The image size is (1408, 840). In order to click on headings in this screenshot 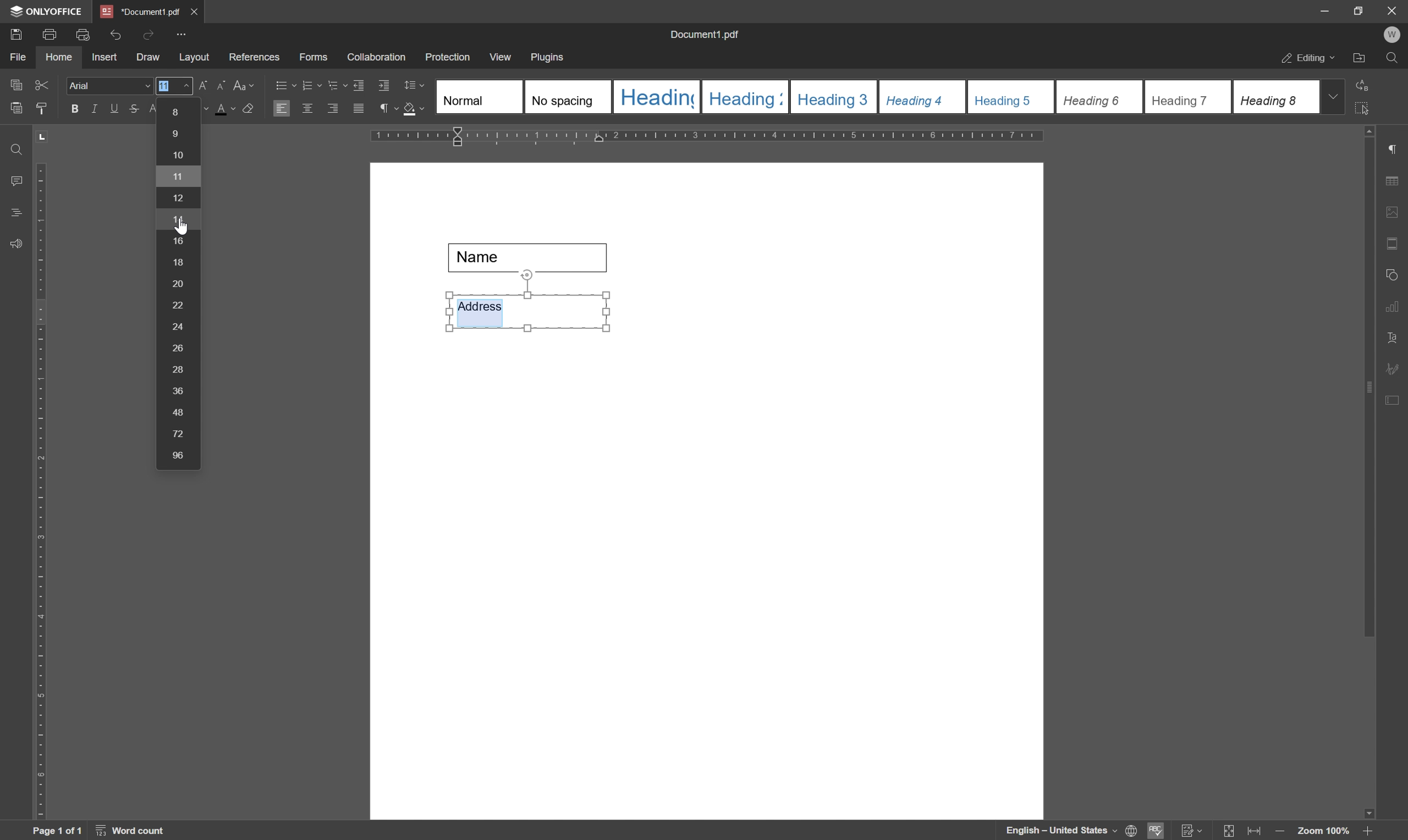, I will do `click(12, 213)`.